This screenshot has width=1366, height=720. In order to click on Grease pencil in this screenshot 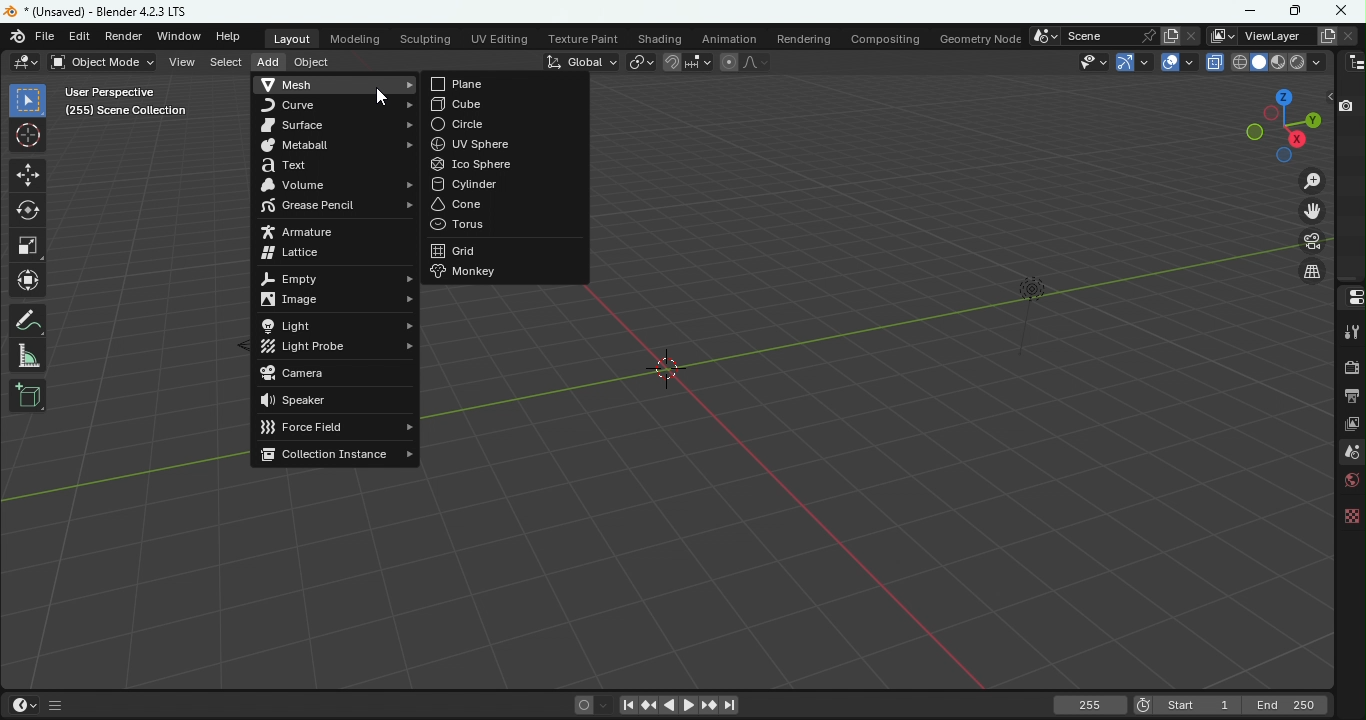, I will do `click(332, 209)`.